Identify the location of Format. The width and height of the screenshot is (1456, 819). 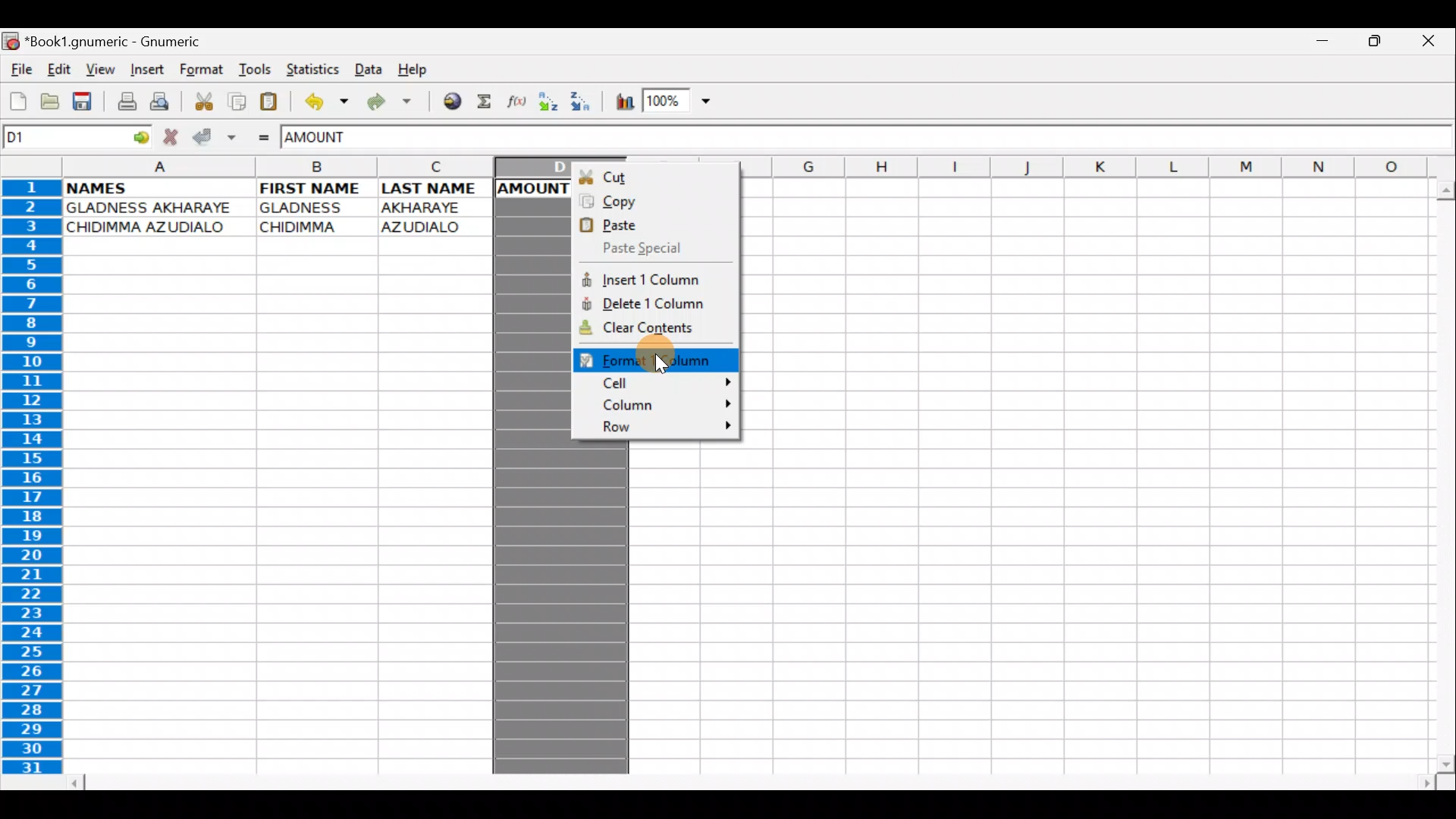
(201, 72).